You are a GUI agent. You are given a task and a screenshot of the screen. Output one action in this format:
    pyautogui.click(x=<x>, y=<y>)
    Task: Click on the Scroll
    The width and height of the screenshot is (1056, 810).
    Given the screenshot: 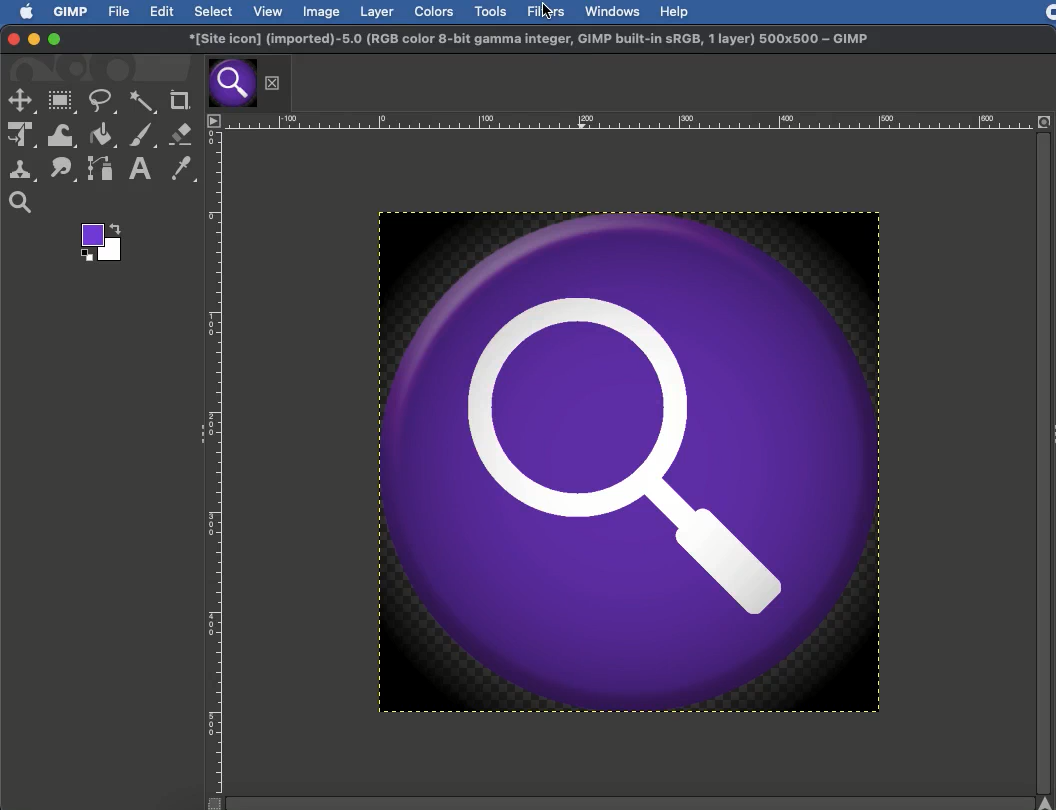 What is the action you would take?
    pyautogui.click(x=1047, y=472)
    